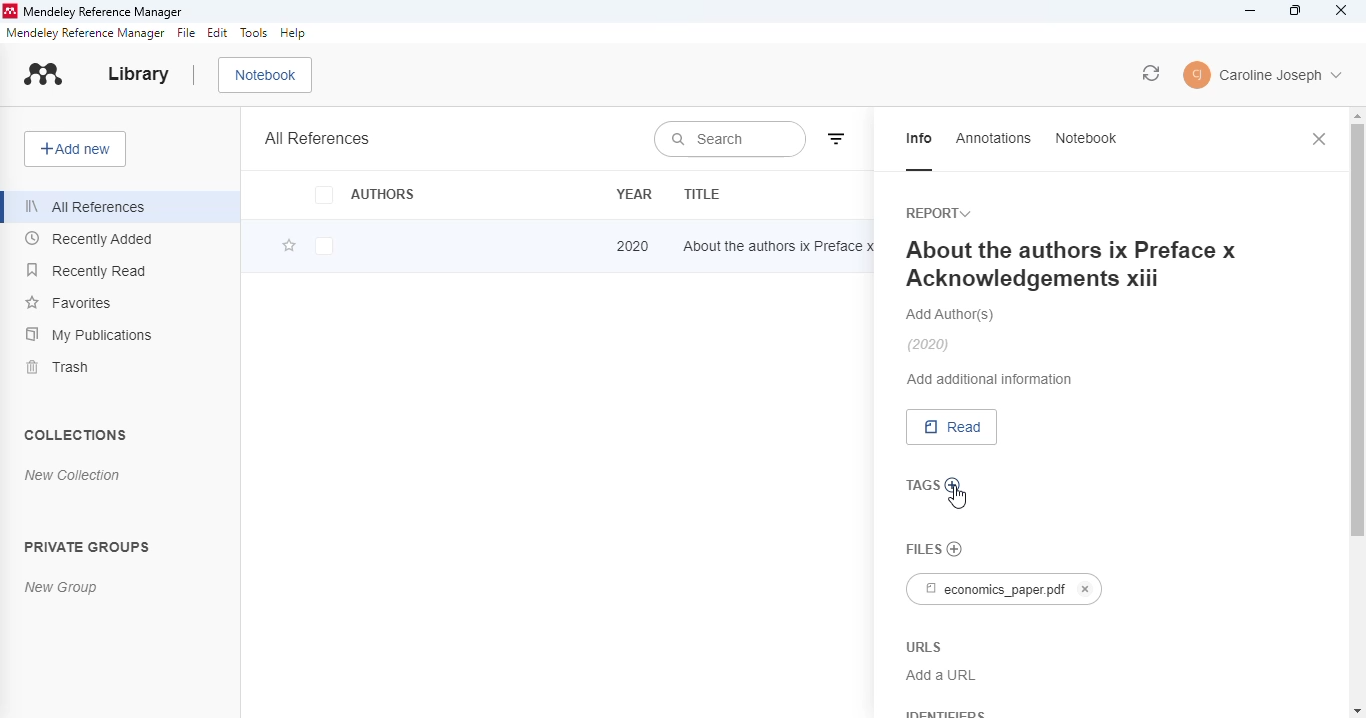  I want to click on economics_paper.pdf, so click(1003, 589).